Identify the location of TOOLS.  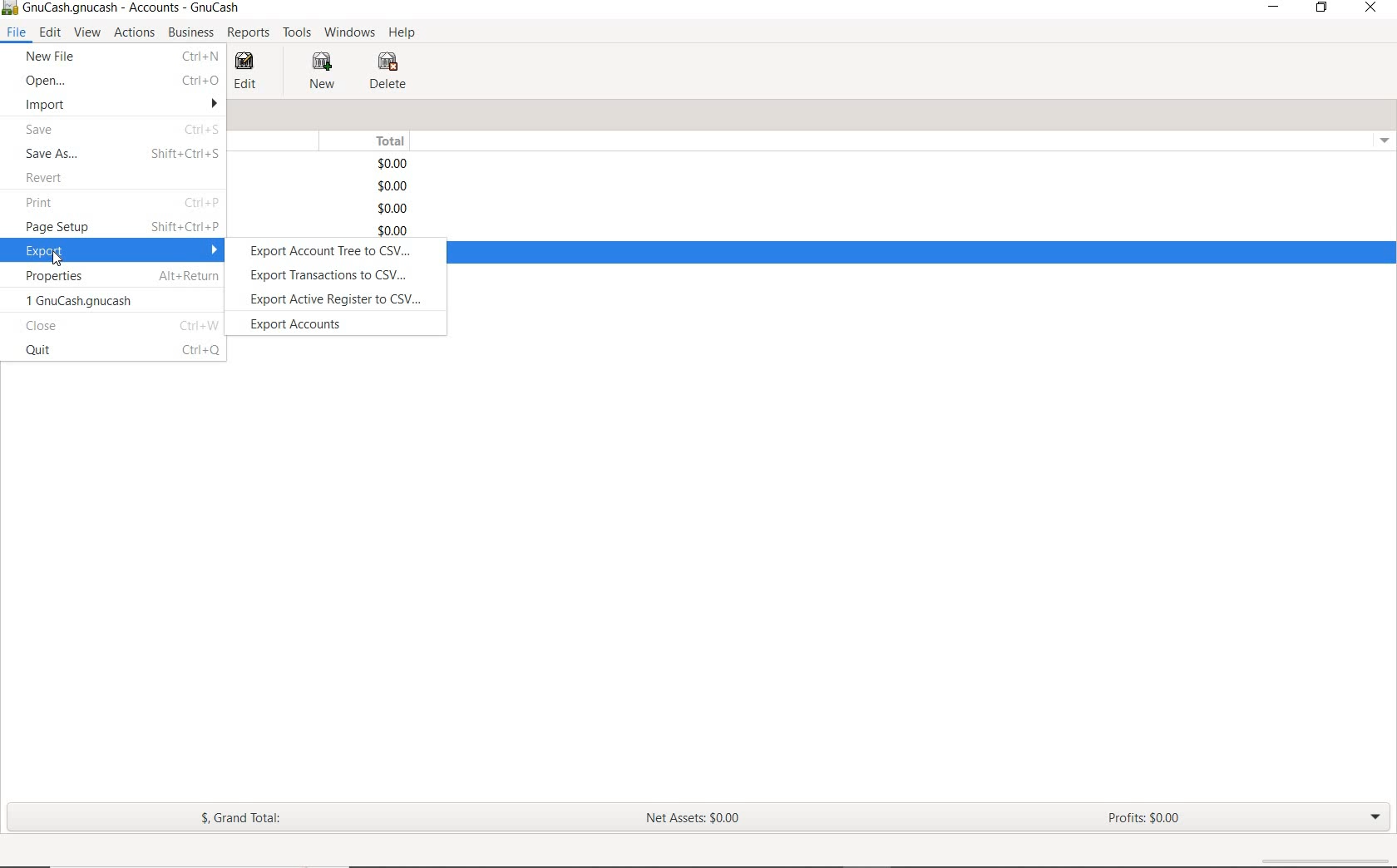
(298, 33).